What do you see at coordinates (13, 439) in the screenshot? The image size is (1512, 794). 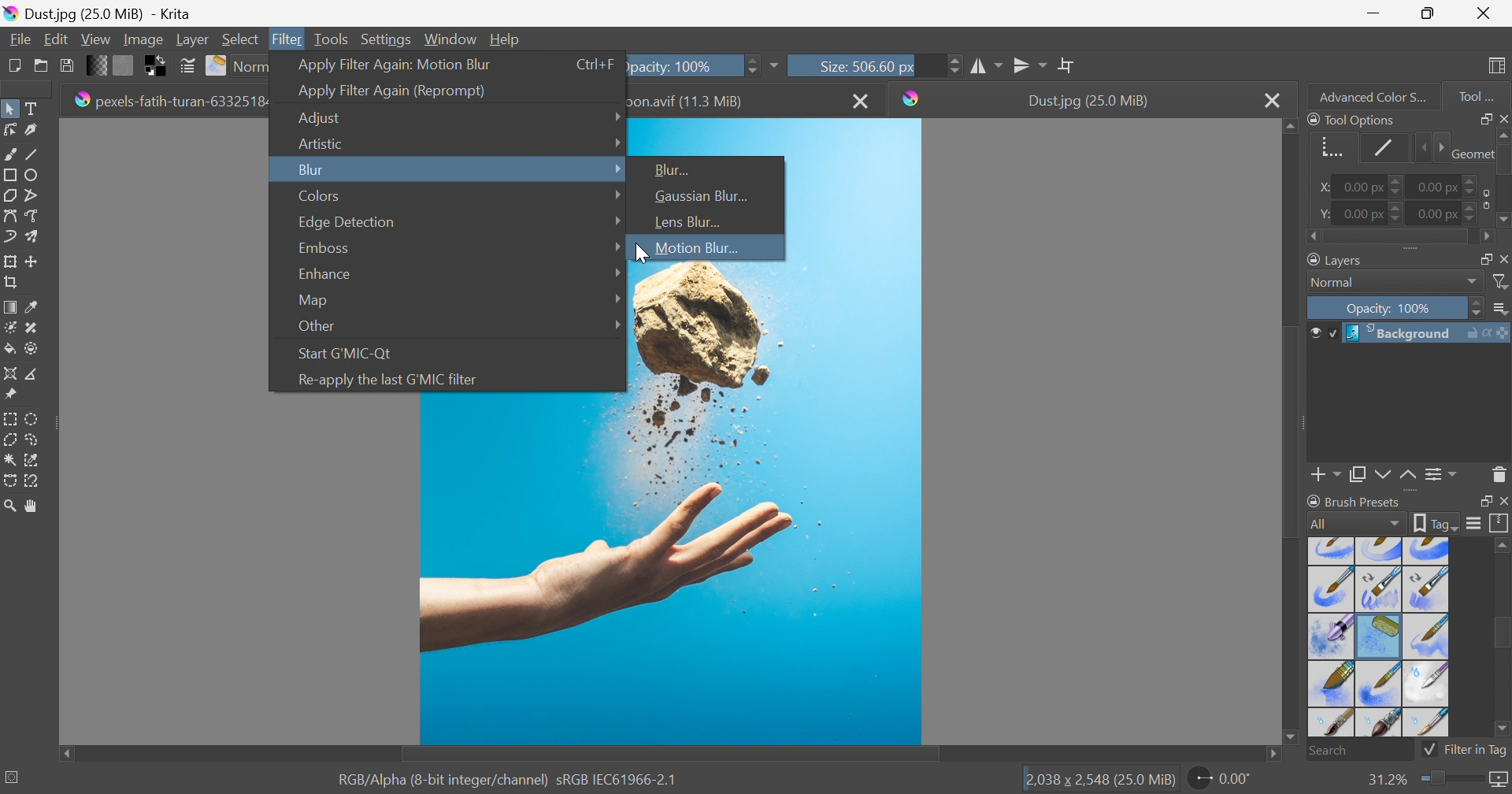 I see `Polygon selection tool` at bounding box center [13, 439].